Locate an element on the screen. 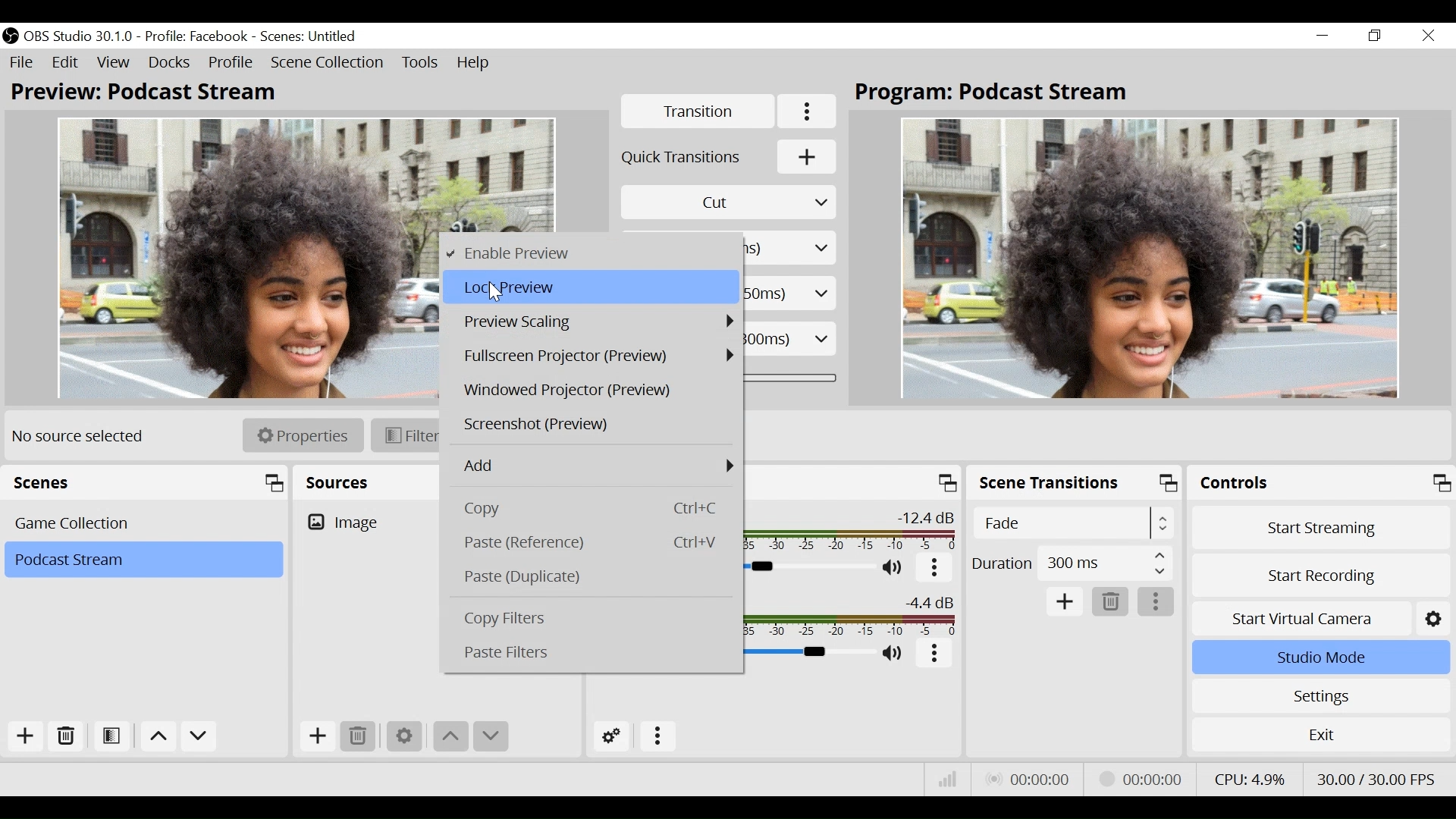 This screenshot has height=819, width=1456. more options is located at coordinates (934, 654).